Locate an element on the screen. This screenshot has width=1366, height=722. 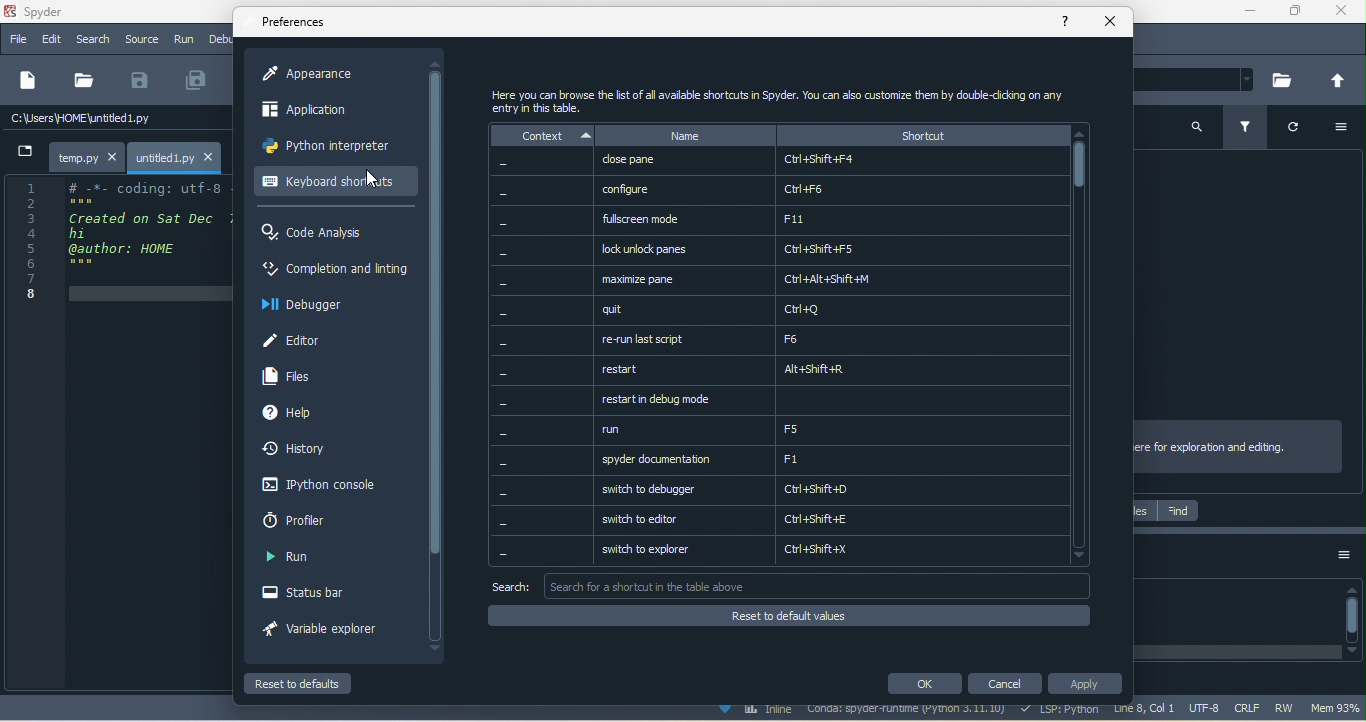
application is located at coordinates (321, 109).